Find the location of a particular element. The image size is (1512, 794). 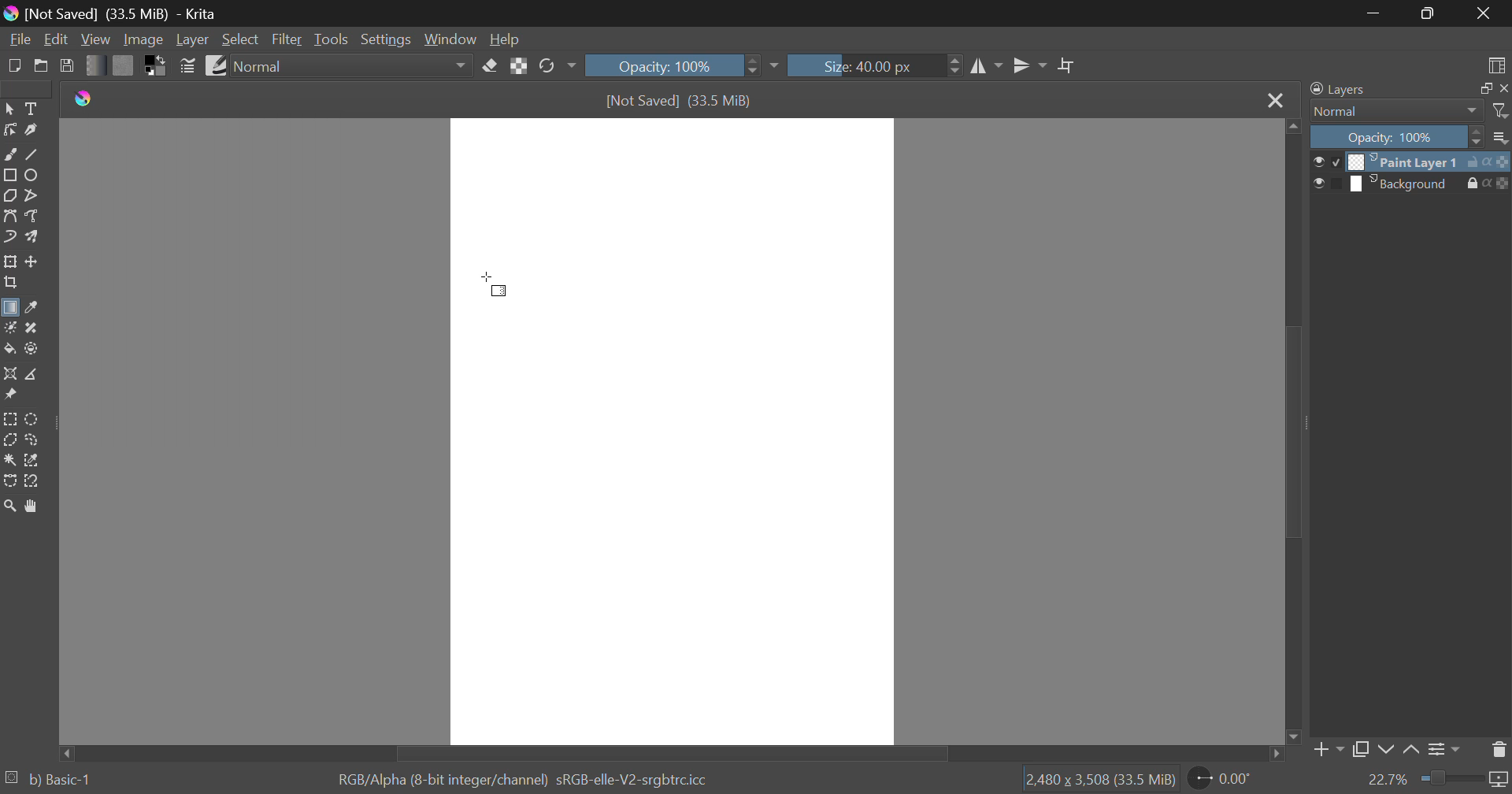

Pan is located at coordinates (30, 506).